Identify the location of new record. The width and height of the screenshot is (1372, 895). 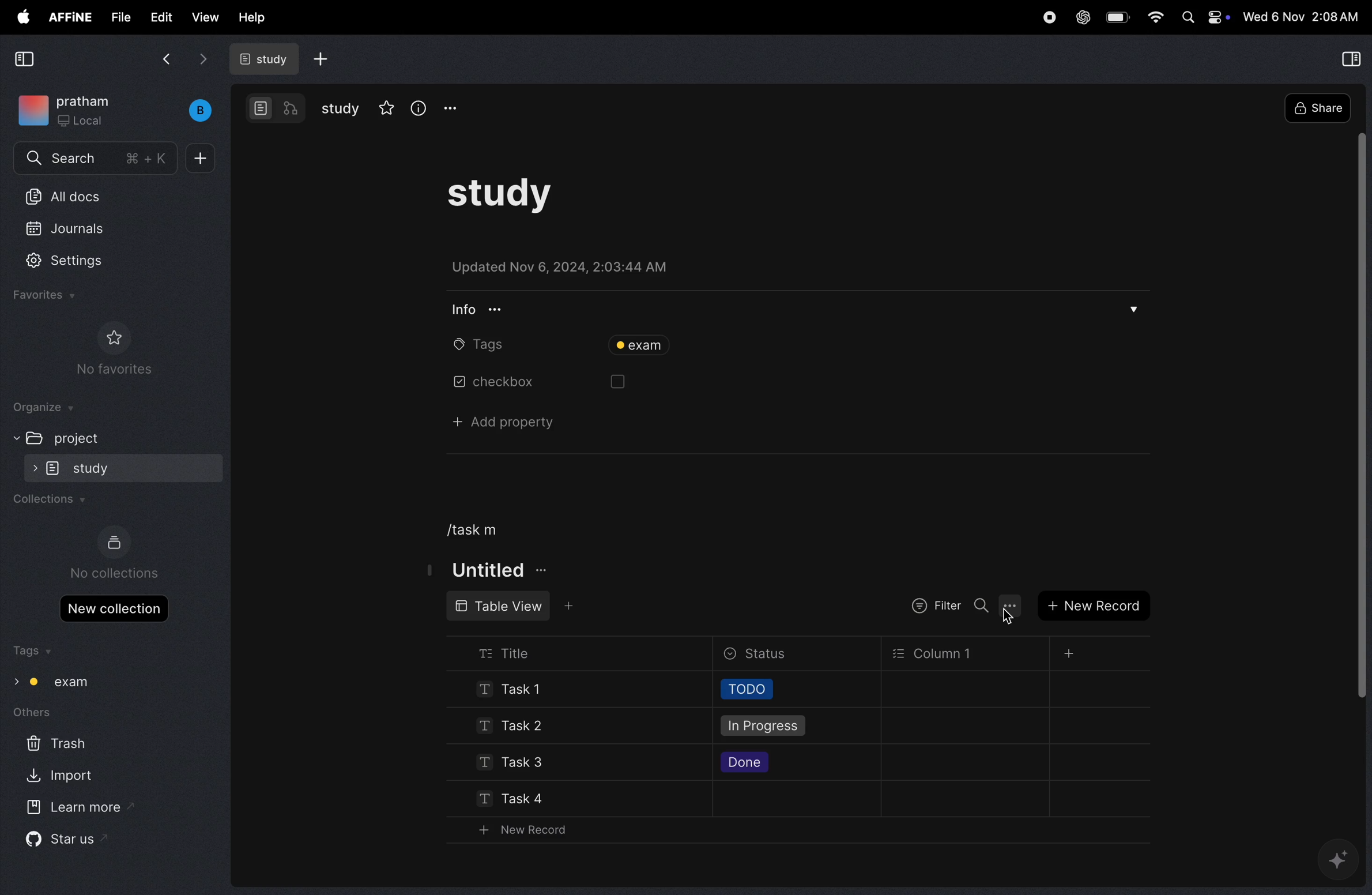
(518, 831).